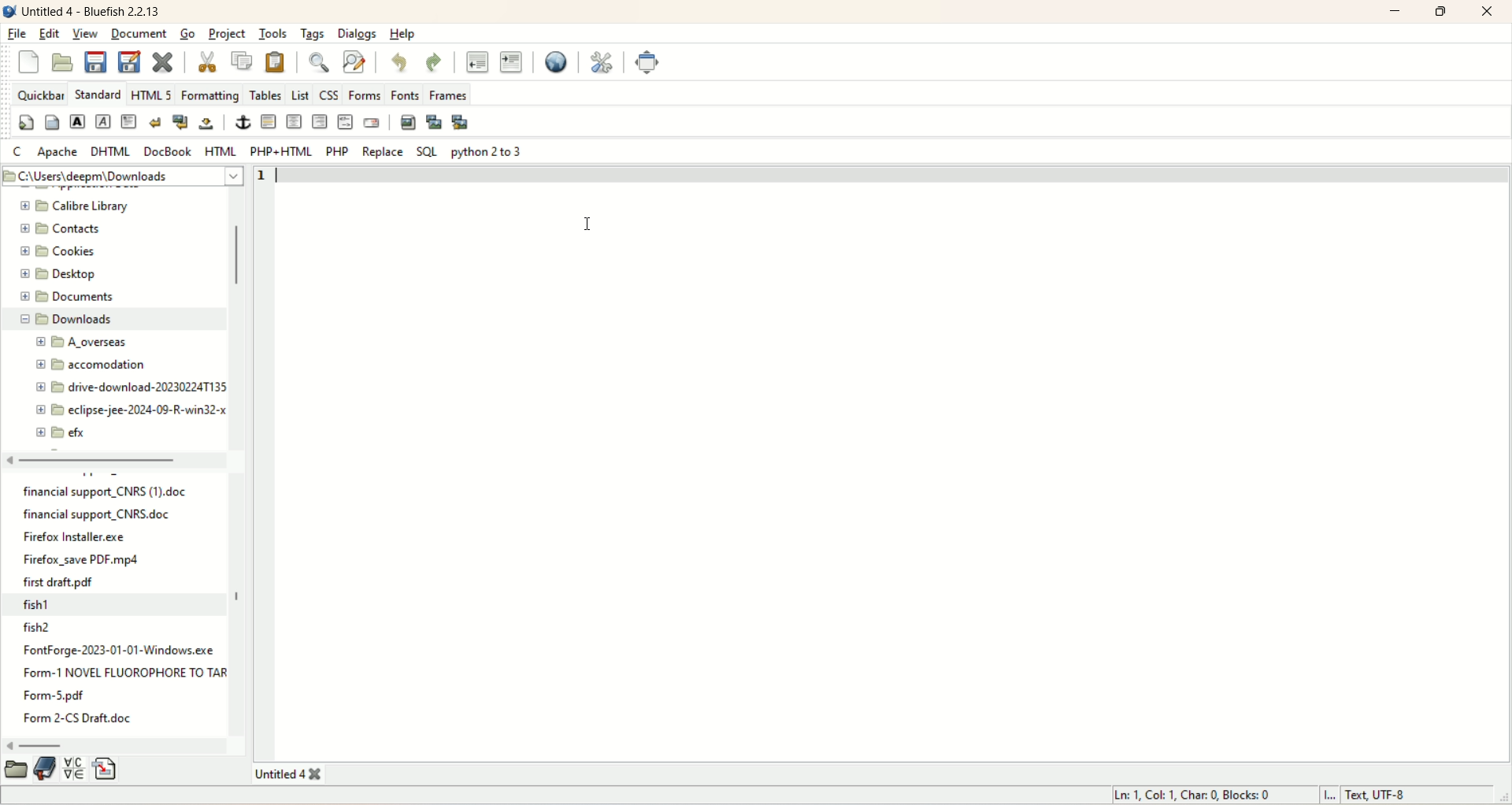  I want to click on fonts, so click(406, 95).